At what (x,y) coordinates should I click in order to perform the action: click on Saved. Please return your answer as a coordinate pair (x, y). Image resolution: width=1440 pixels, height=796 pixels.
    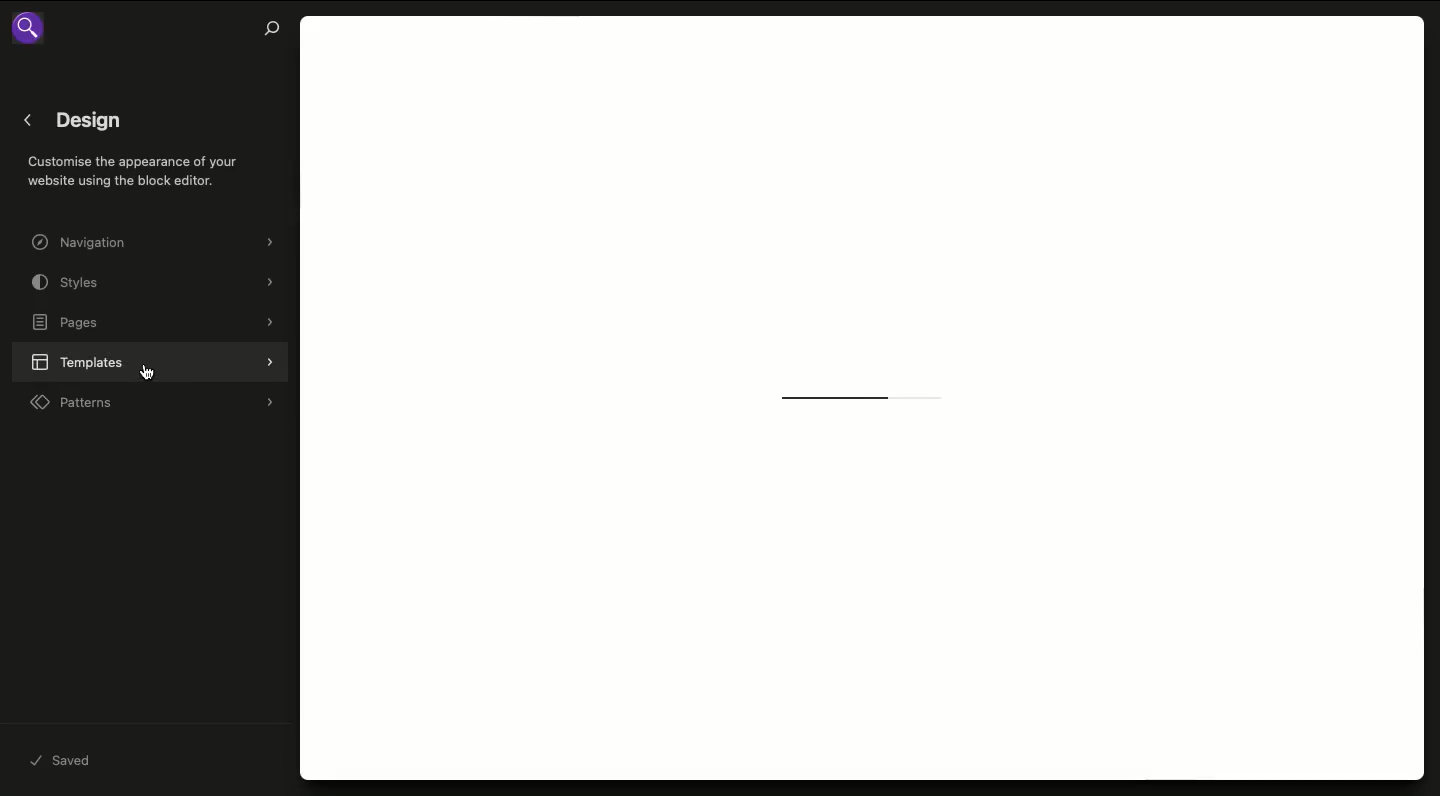
    Looking at the image, I should click on (75, 761).